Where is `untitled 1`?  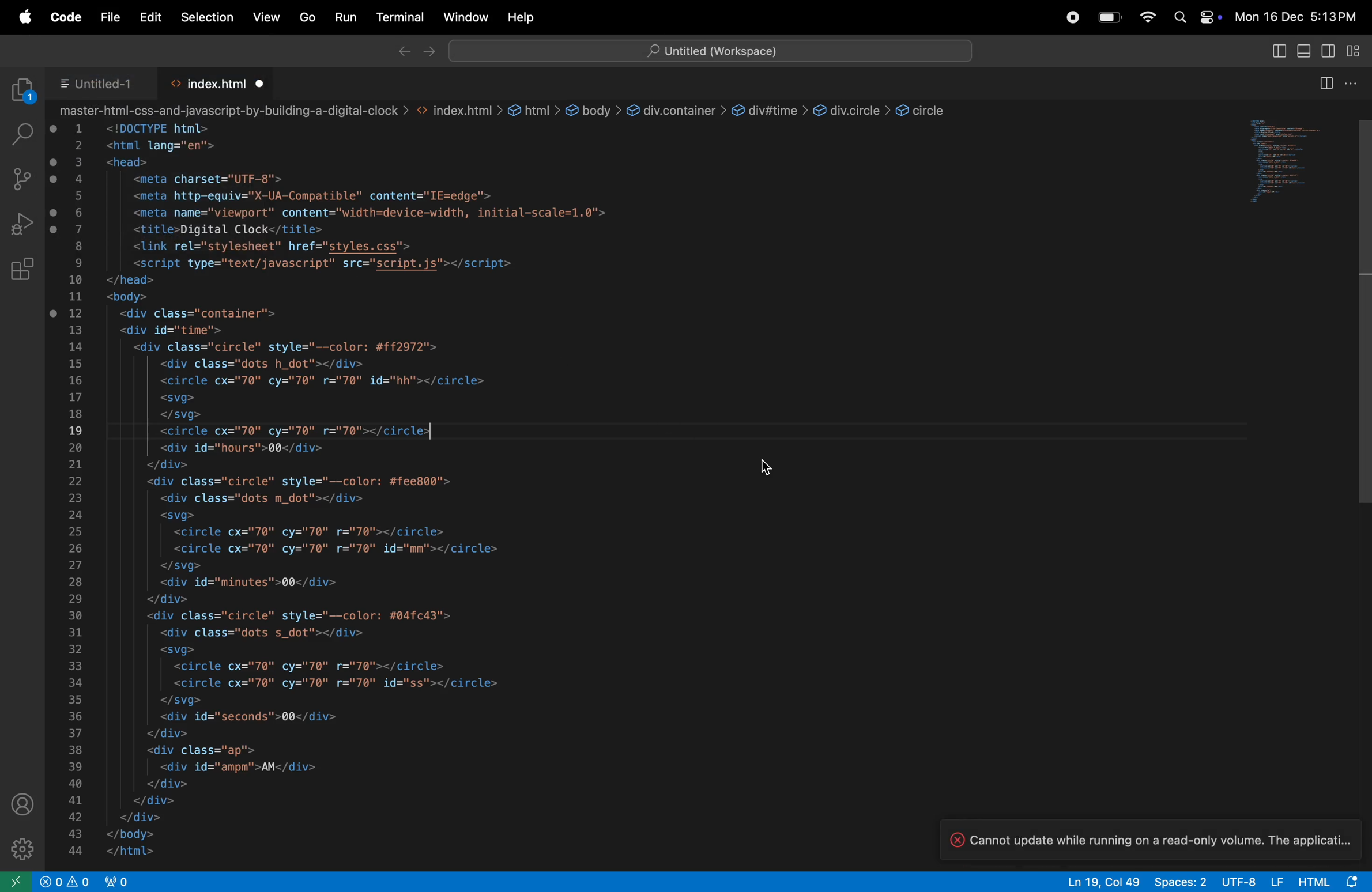
untitled 1 is located at coordinates (101, 82).